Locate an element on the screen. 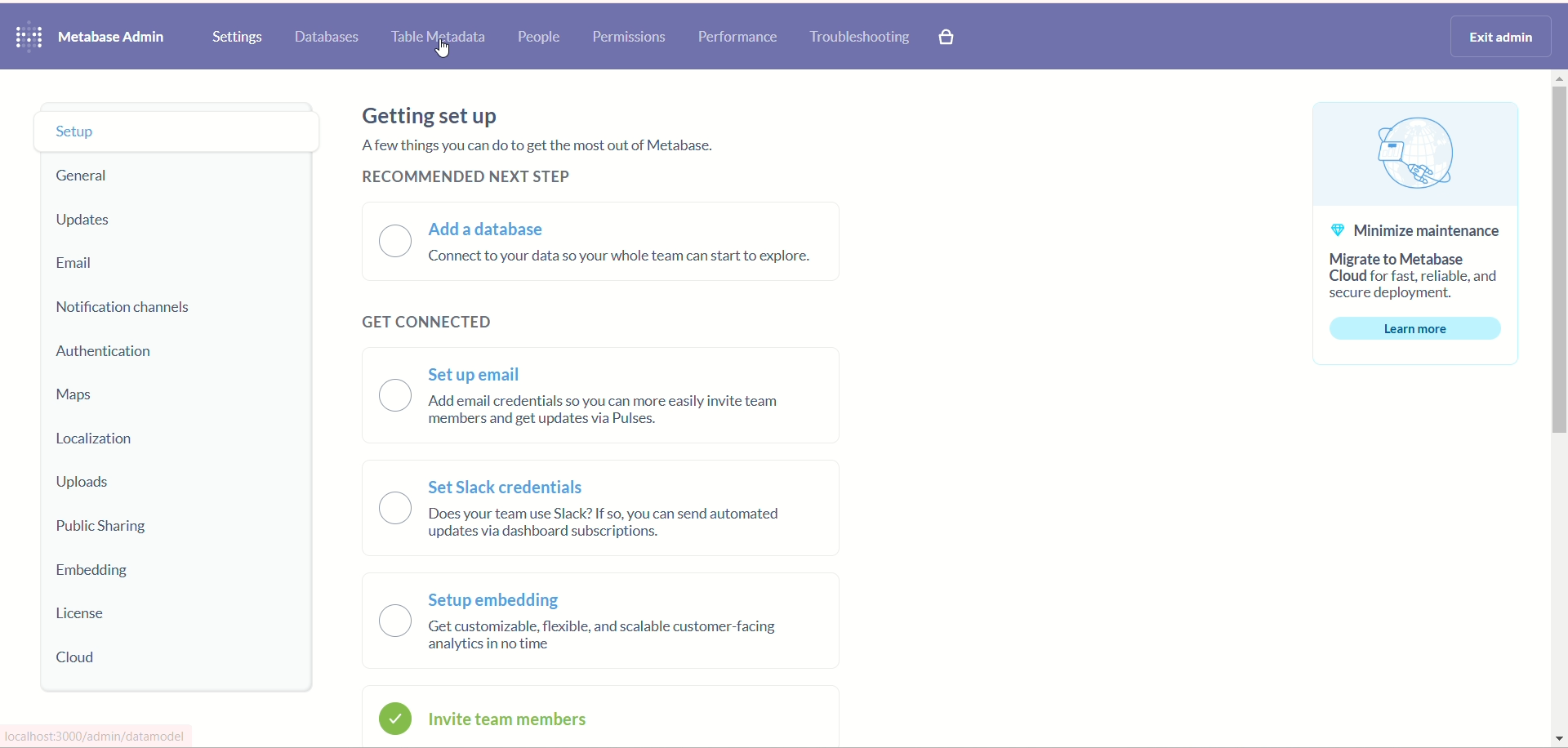 This screenshot has width=1568, height=748. people is located at coordinates (540, 36).